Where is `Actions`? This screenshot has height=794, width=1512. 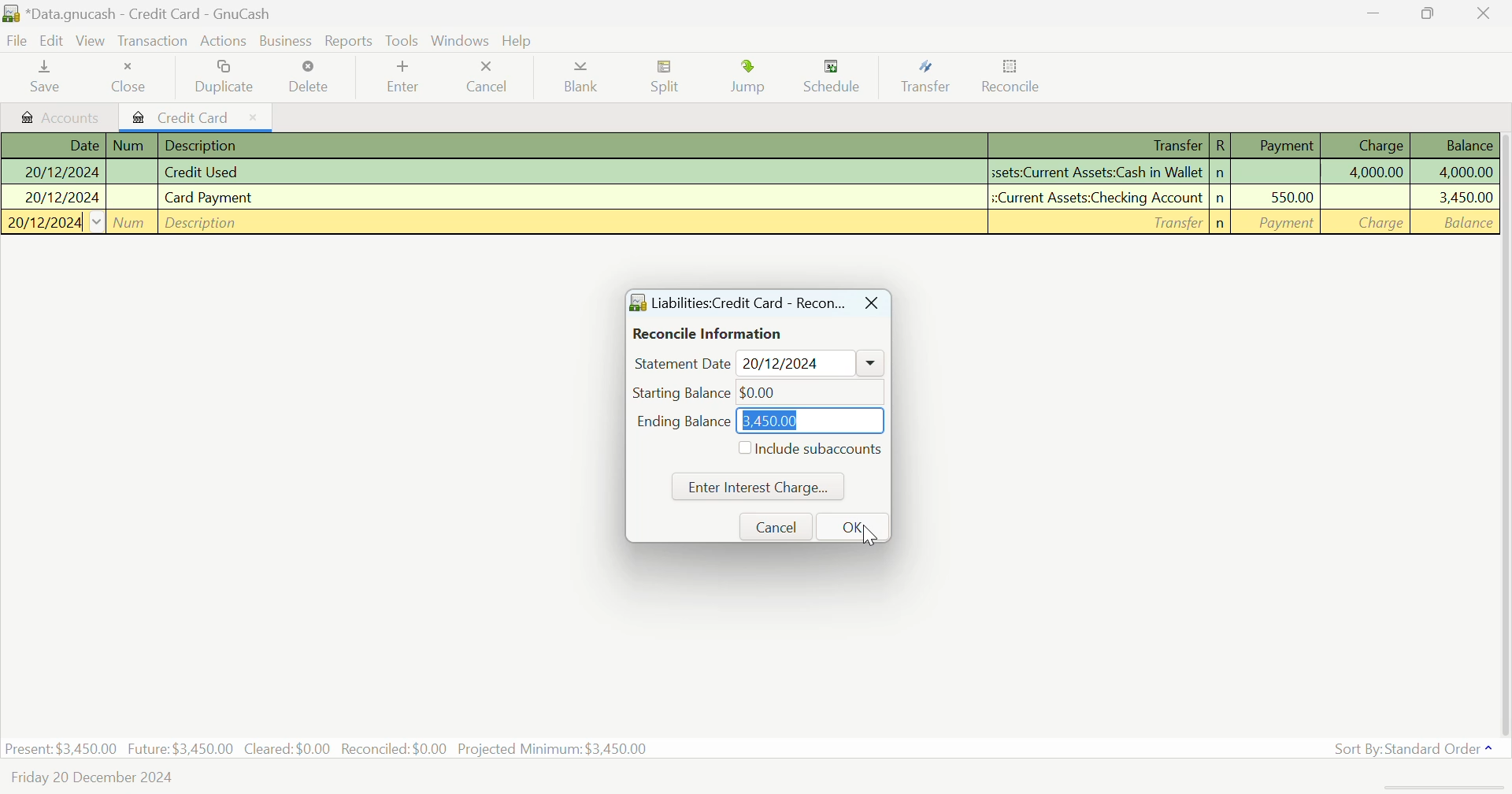 Actions is located at coordinates (220, 39).